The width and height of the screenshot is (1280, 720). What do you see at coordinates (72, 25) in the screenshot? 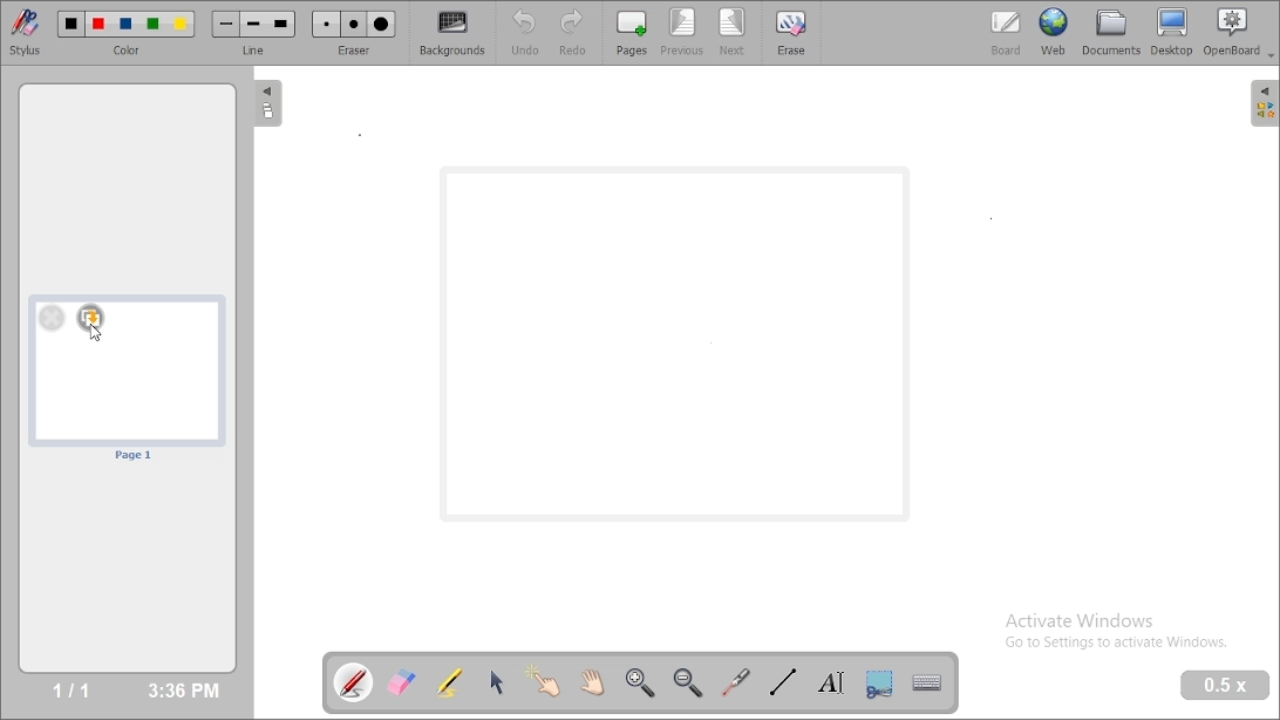
I see `Color 1` at bounding box center [72, 25].